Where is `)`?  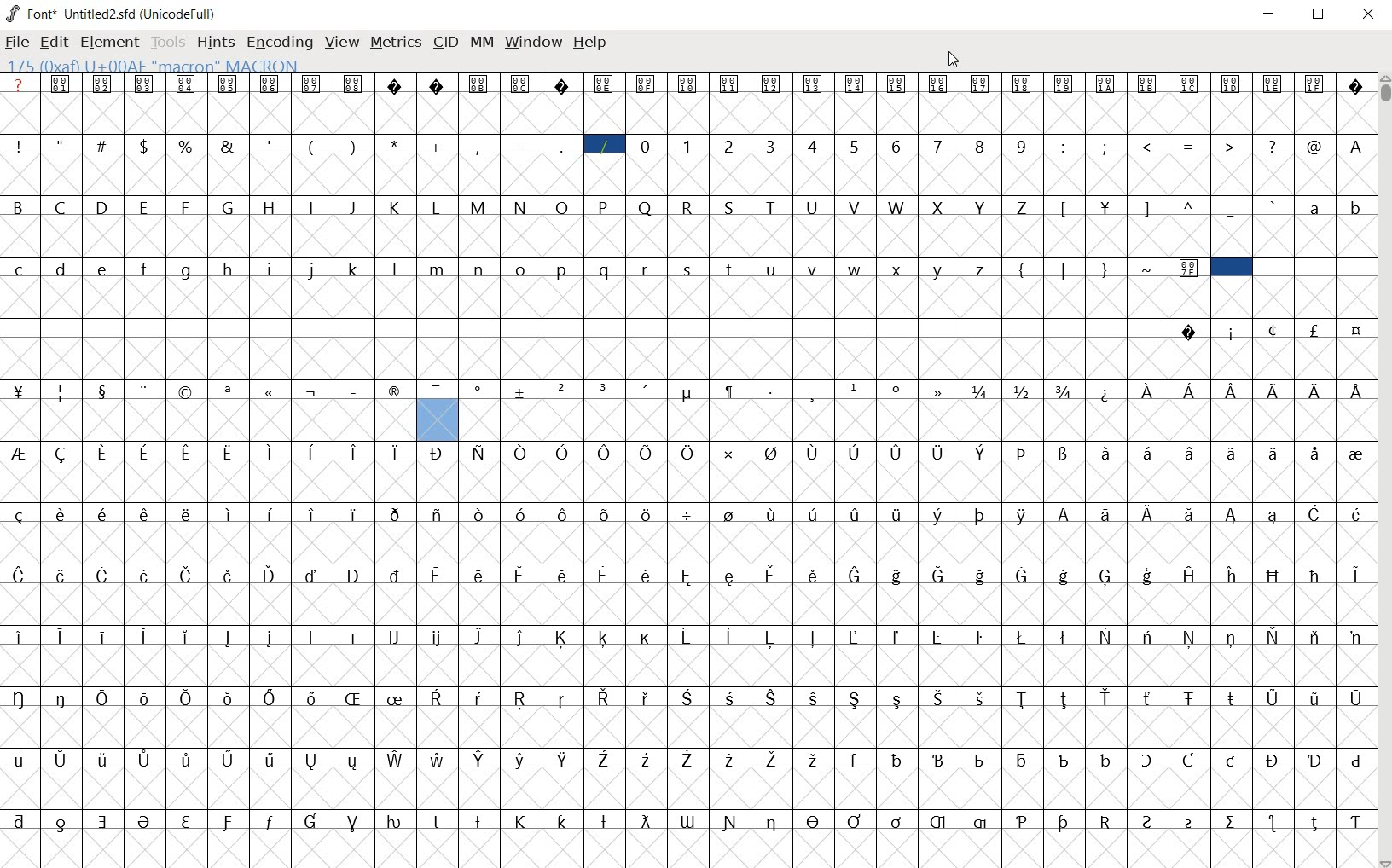 ) is located at coordinates (356, 146).